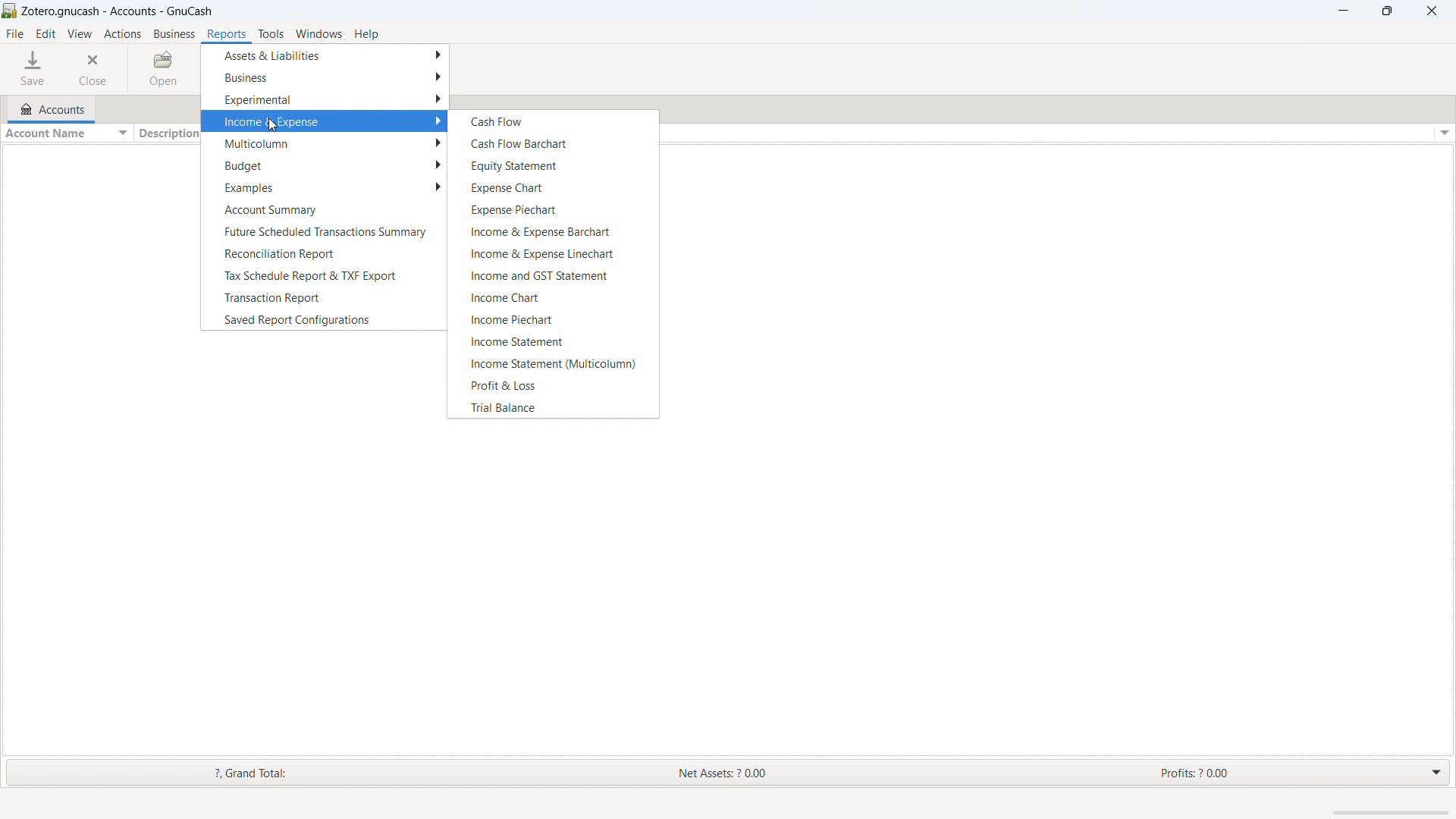 Image resolution: width=1456 pixels, height=819 pixels. What do you see at coordinates (323, 187) in the screenshot?
I see `examples` at bounding box center [323, 187].